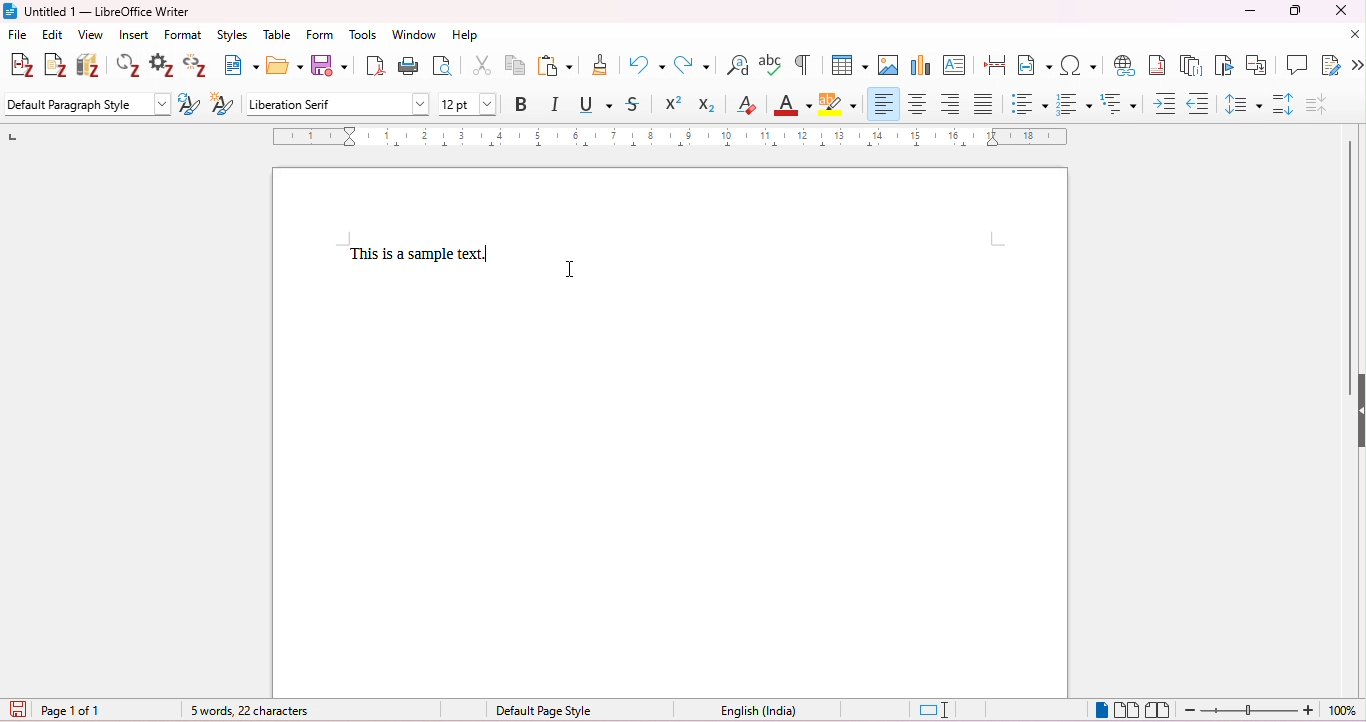 The image size is (1366, 722). I want to click on insert image, so click(889, 64).